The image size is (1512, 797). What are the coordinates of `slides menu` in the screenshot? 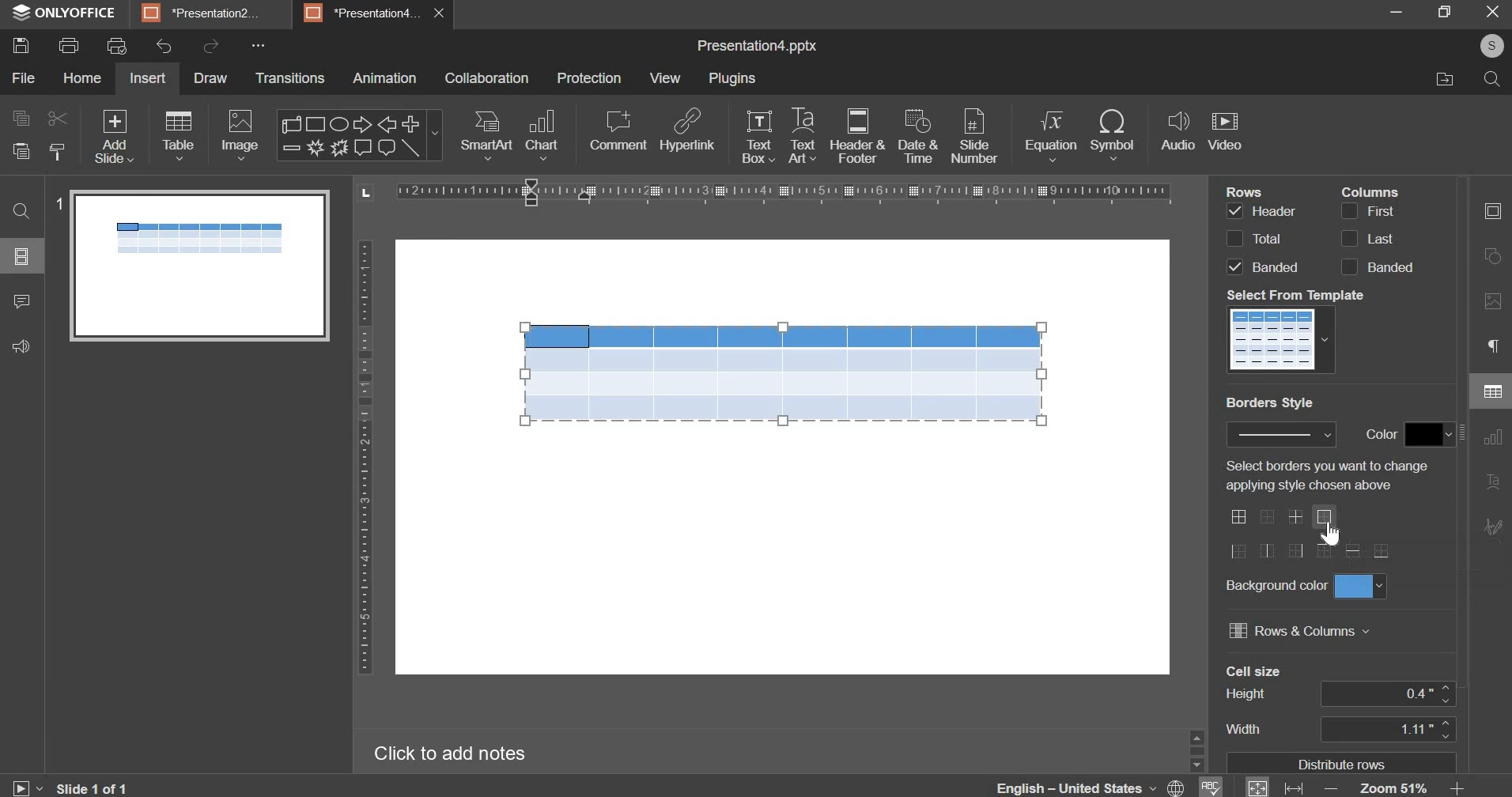 It's located at (22, 256).